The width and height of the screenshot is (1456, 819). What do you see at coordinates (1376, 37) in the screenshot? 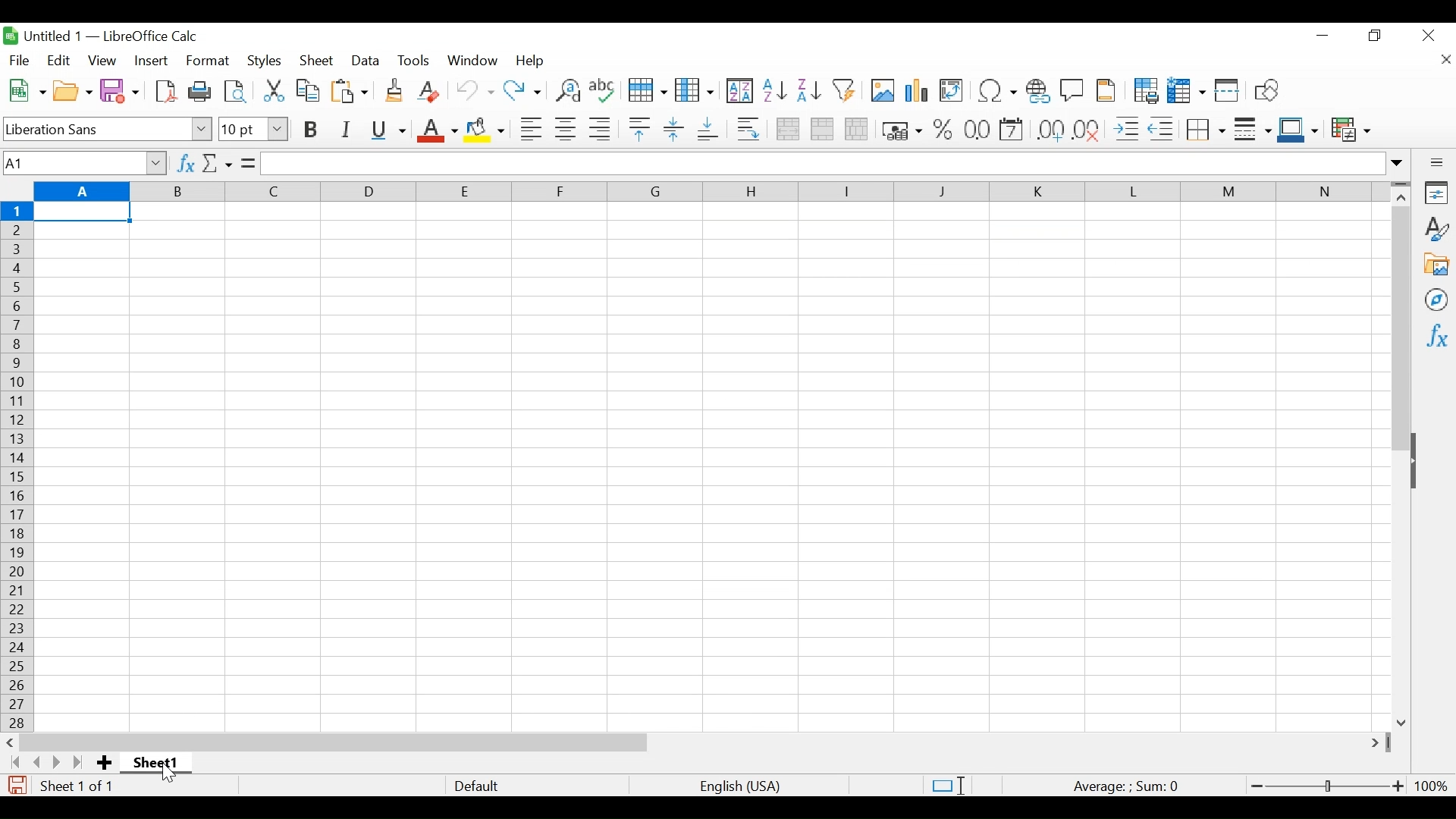
I see `Restore` at bounding box center [1376, 37].